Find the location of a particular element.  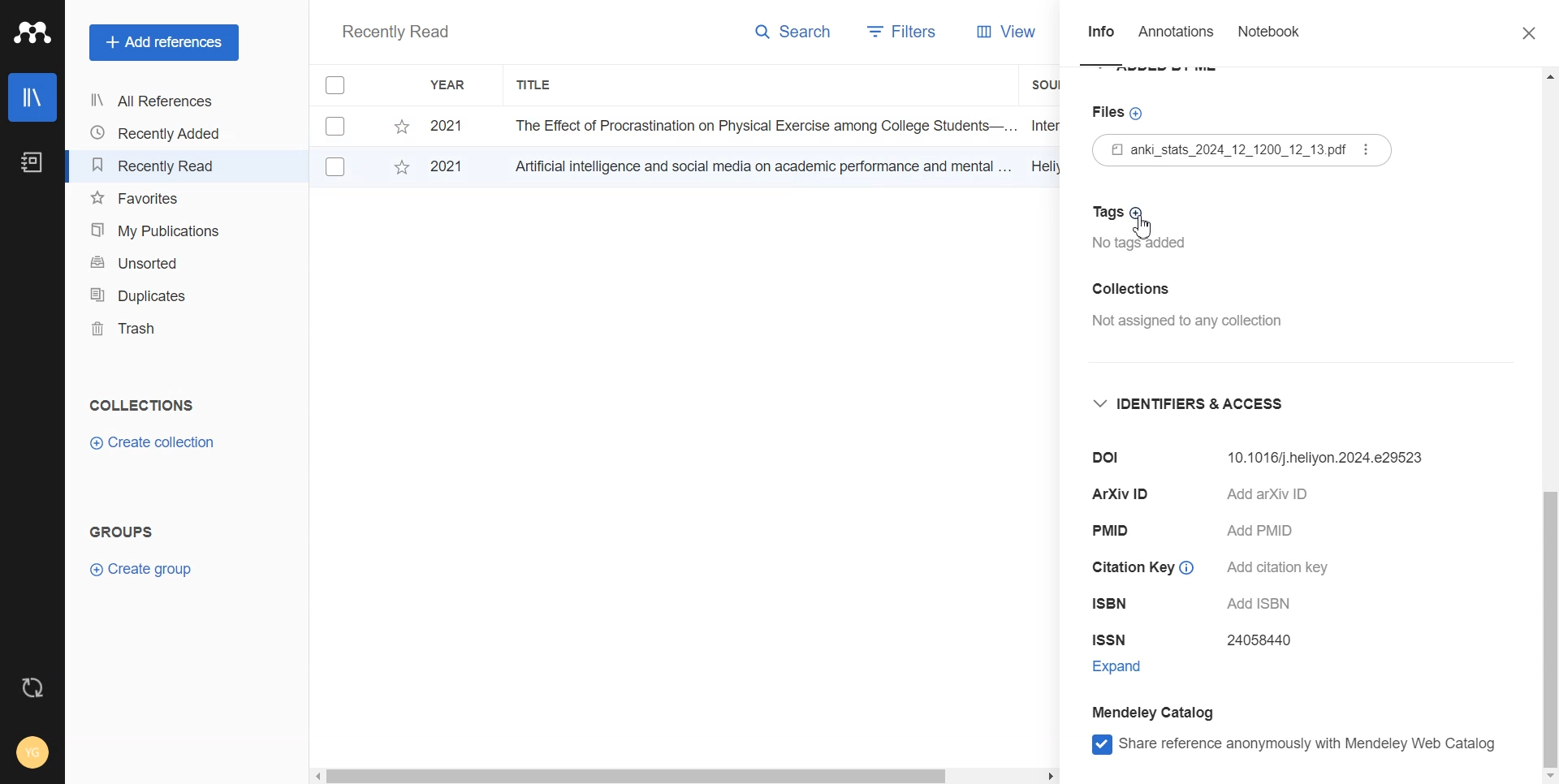

Account is located at coordinates (34, 751).